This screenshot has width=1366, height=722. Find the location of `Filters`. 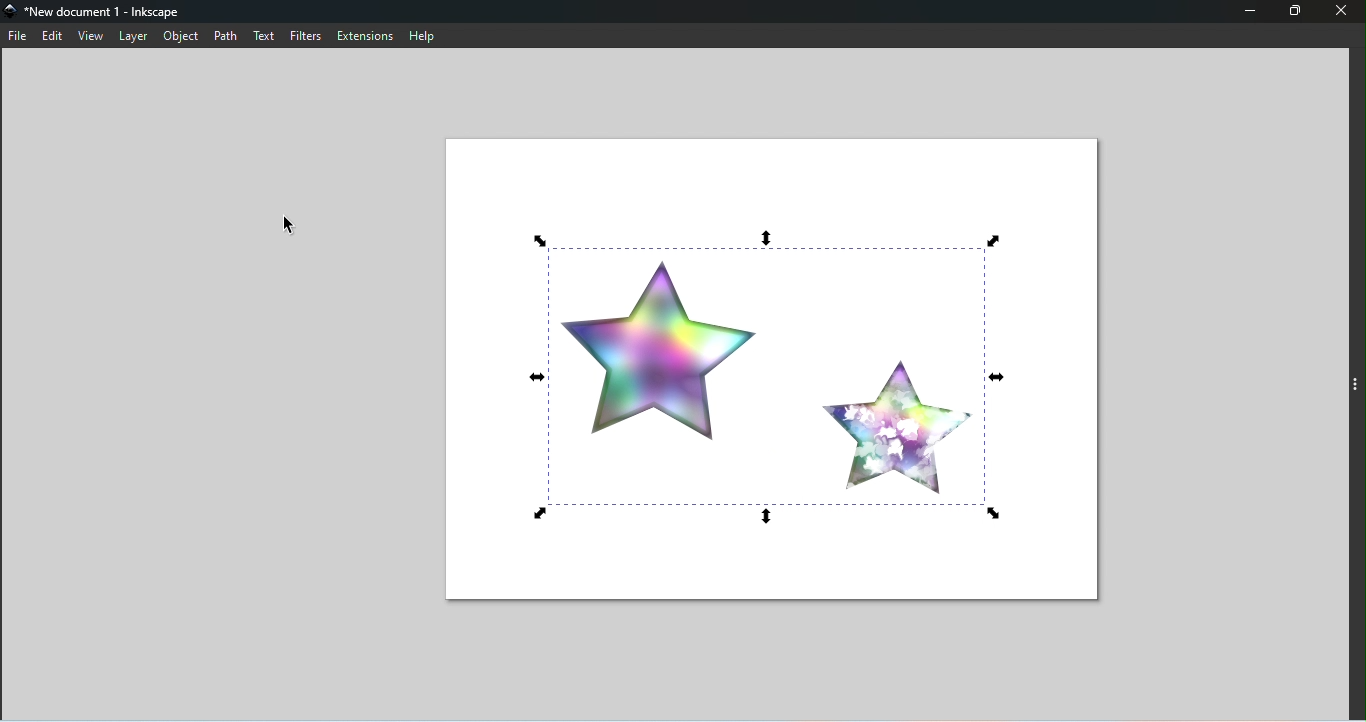

Filters is located at coordinates (311, 35).